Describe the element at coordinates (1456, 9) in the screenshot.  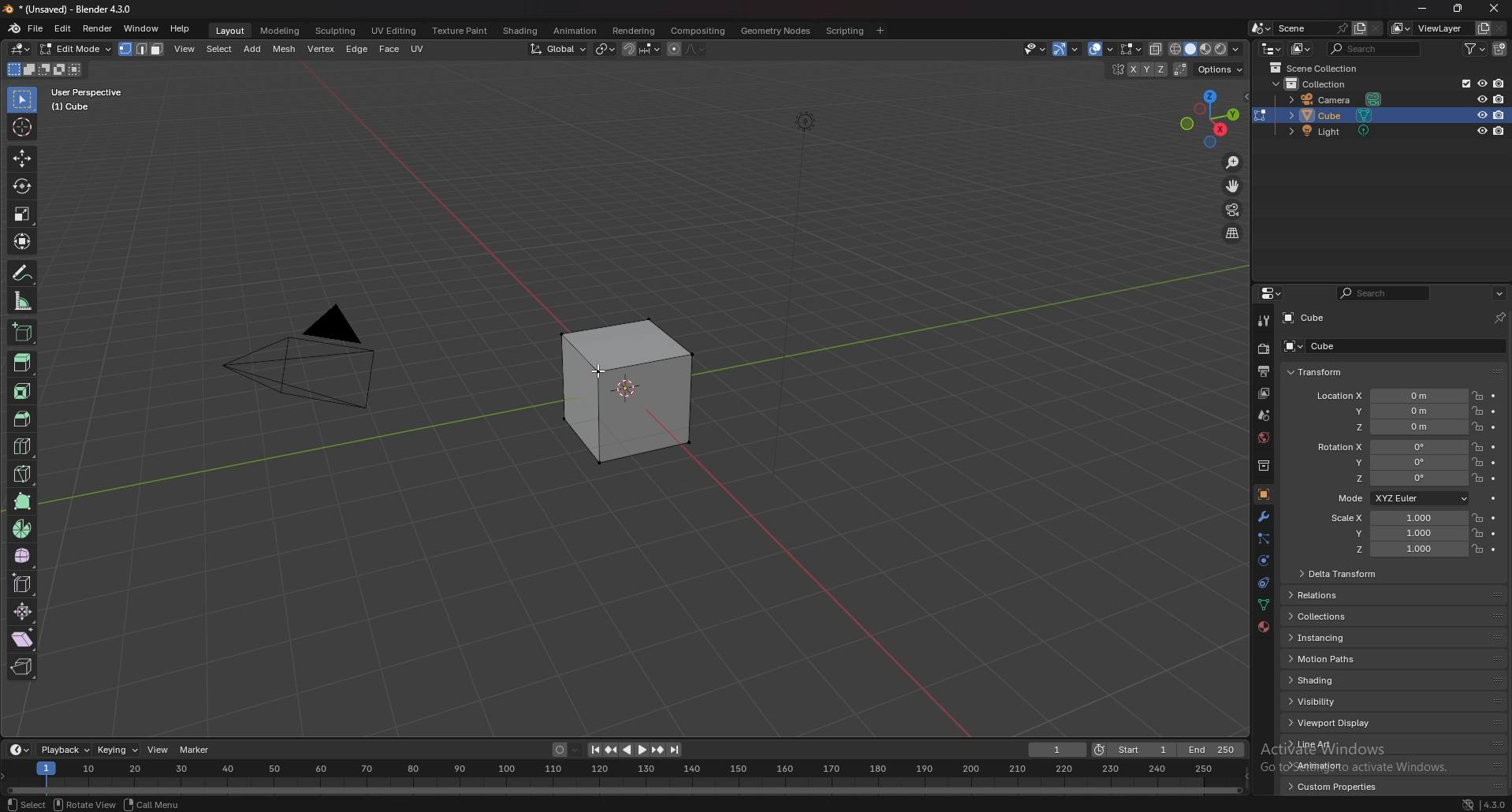
I see `resize` at that location.